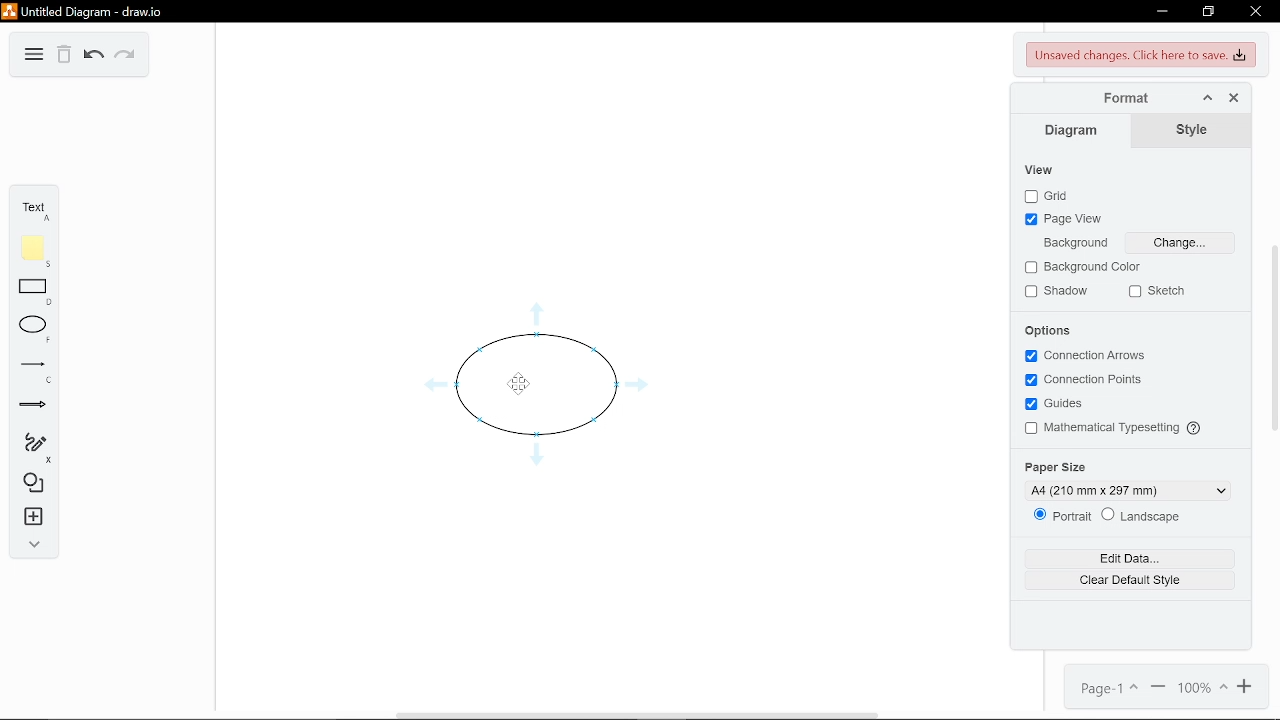 This screenshot has height=720, width=1280. What do you see at coordinates (1098, 405) in the screenshot?
I see `Guides` at bounding box center [1098, 405].